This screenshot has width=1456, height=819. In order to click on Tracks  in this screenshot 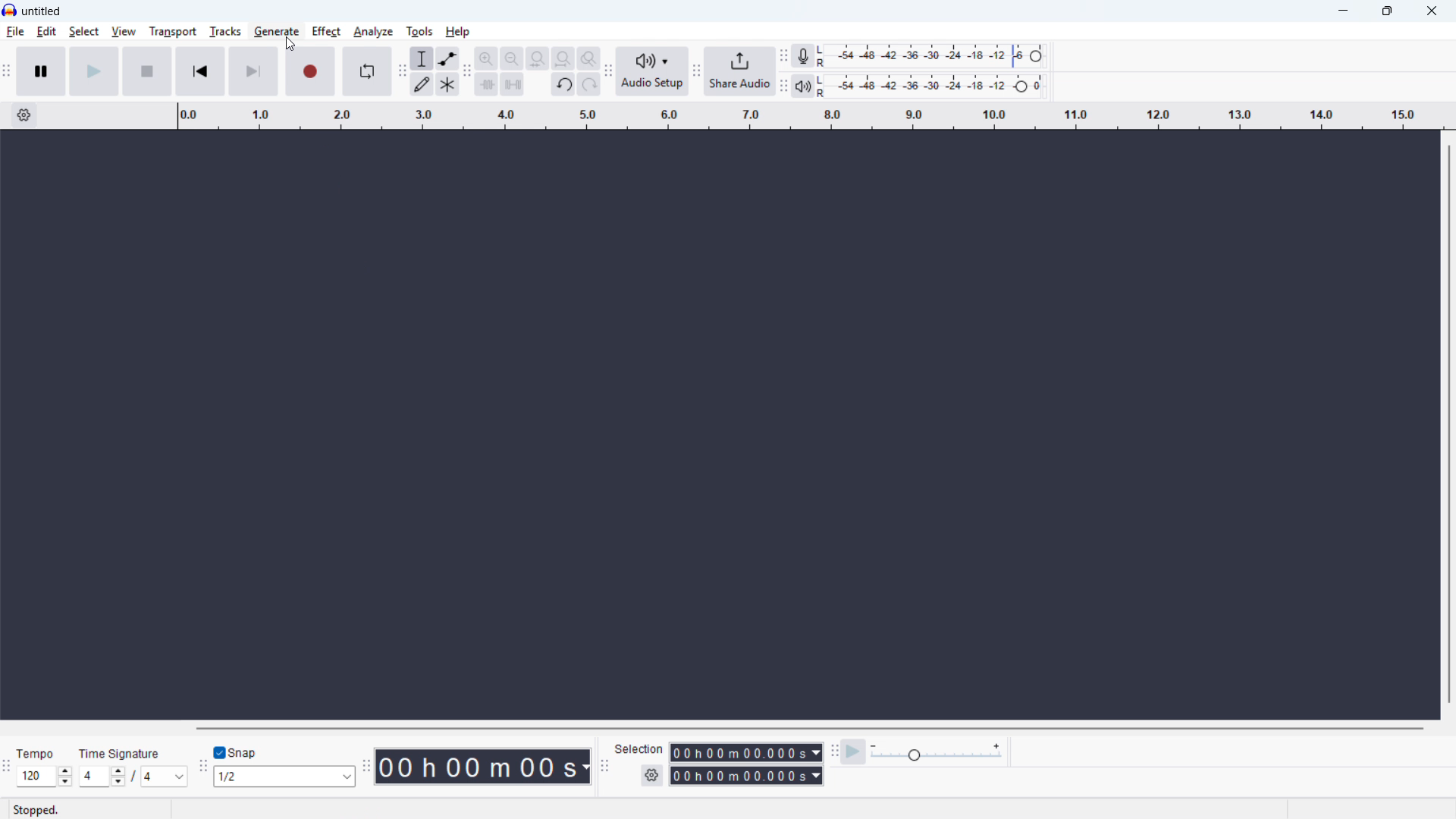, I will do `click(224, 31)`.